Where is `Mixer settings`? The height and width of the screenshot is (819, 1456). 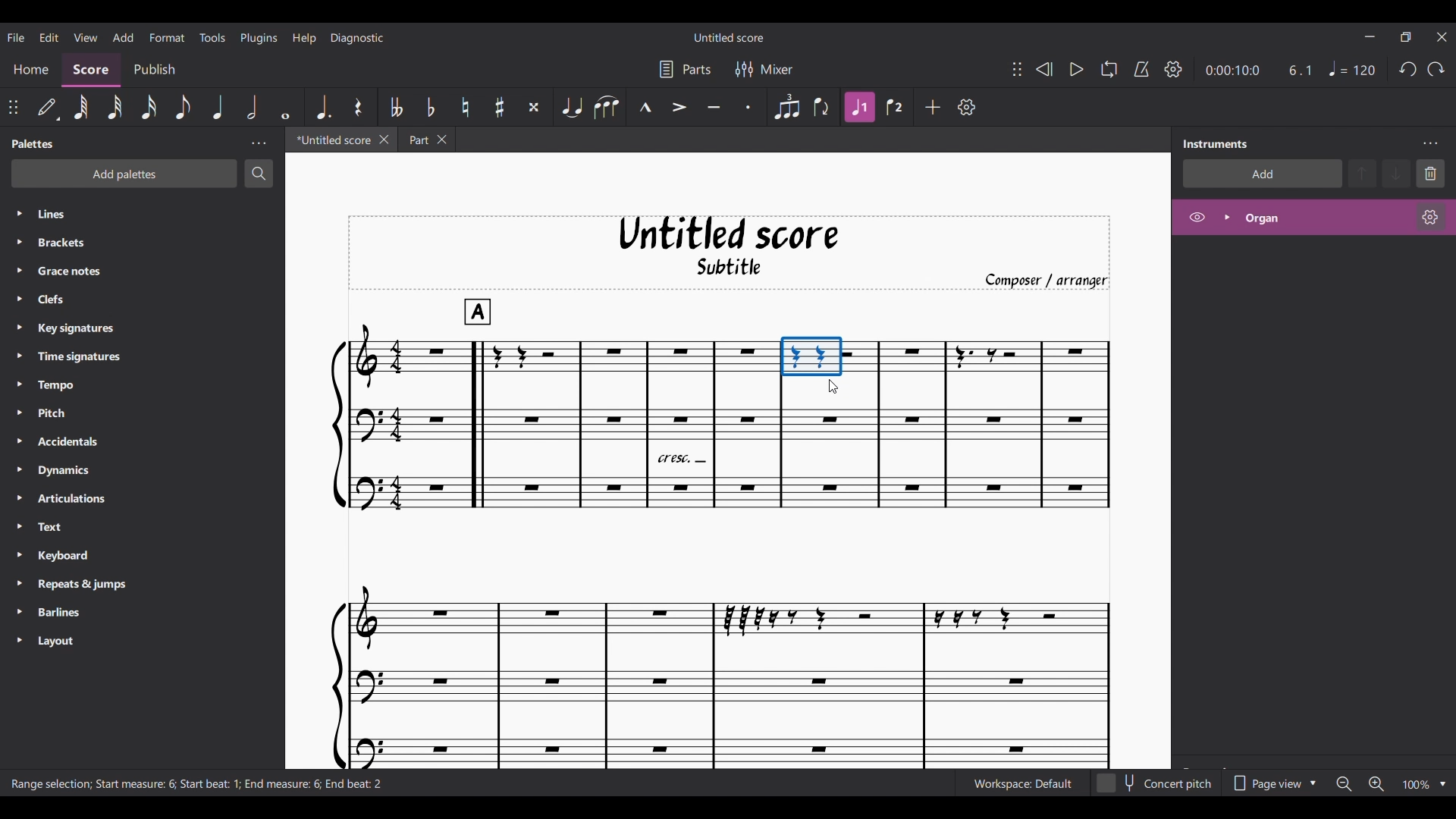 Mixer settings is located at coordinates (765, 70).